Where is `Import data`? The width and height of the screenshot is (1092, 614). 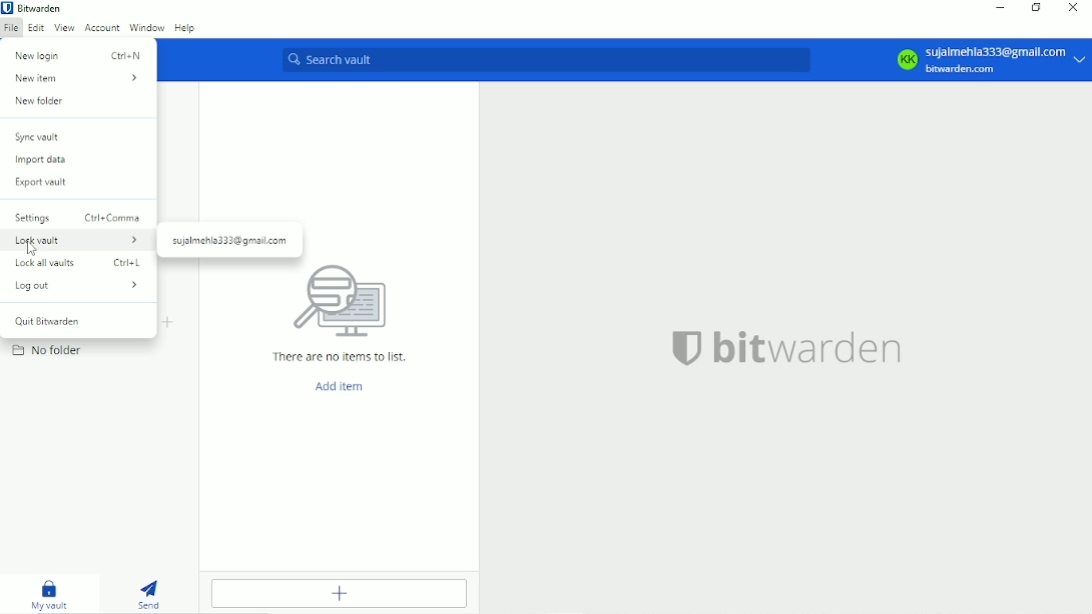 Import data is located at coordinates (44, 160).